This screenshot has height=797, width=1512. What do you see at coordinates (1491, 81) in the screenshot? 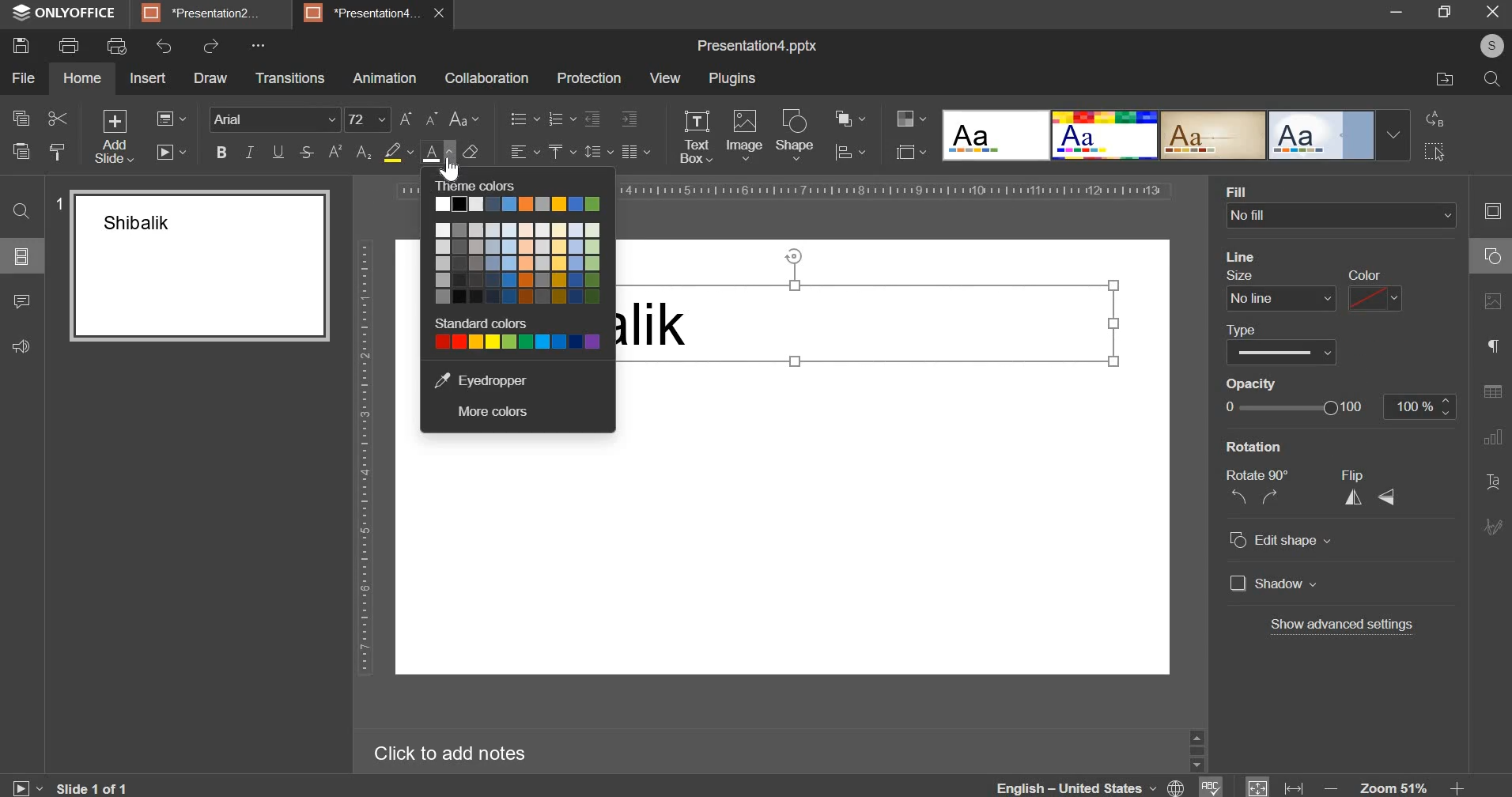
I see `Search` at bounding box center [1491, 81].